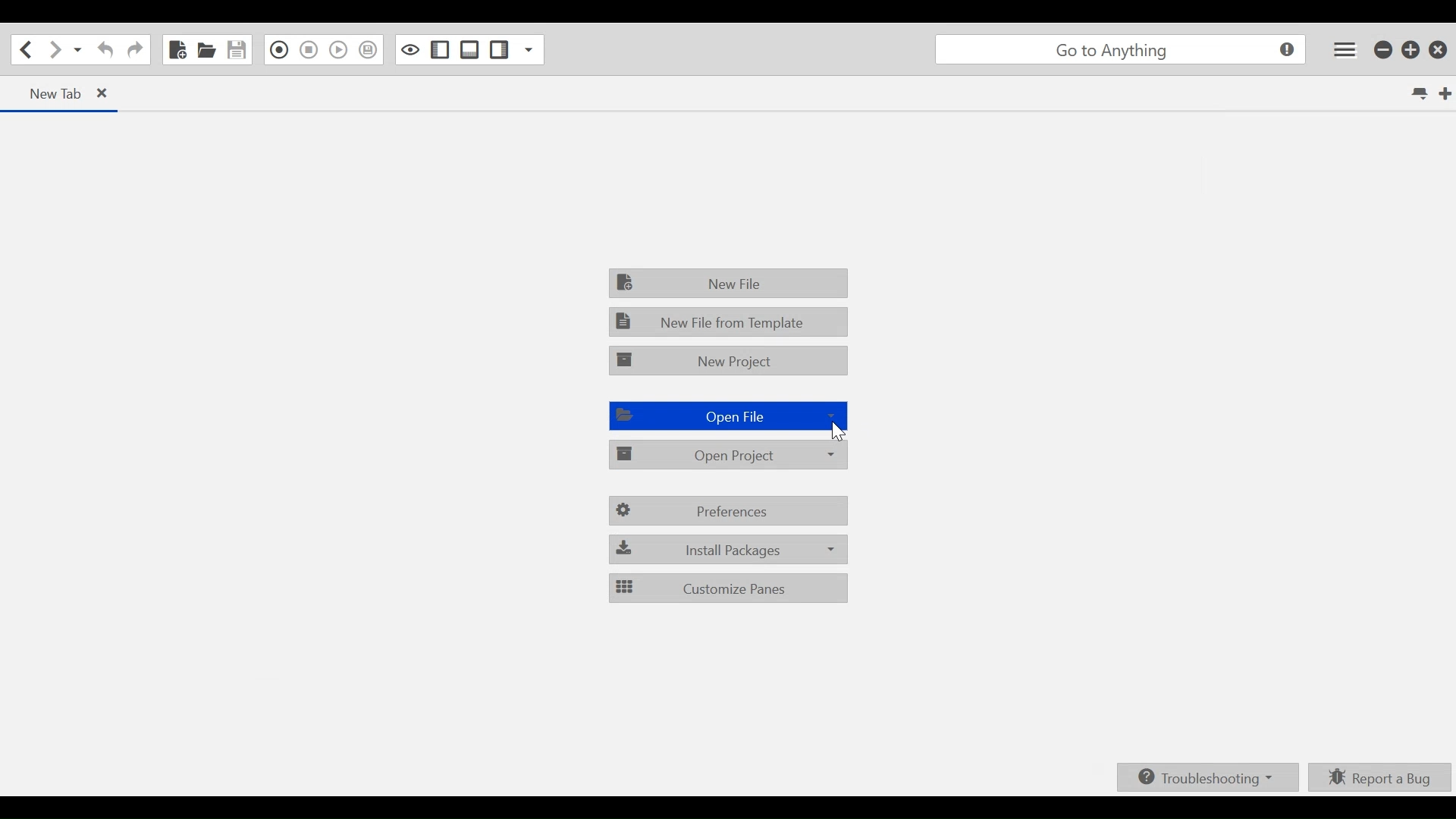 Image resolution: width=1456 pixels, height=819 pixels. Describe the element at coordinates (135, 51) in the screenshot. I see `` at that location.